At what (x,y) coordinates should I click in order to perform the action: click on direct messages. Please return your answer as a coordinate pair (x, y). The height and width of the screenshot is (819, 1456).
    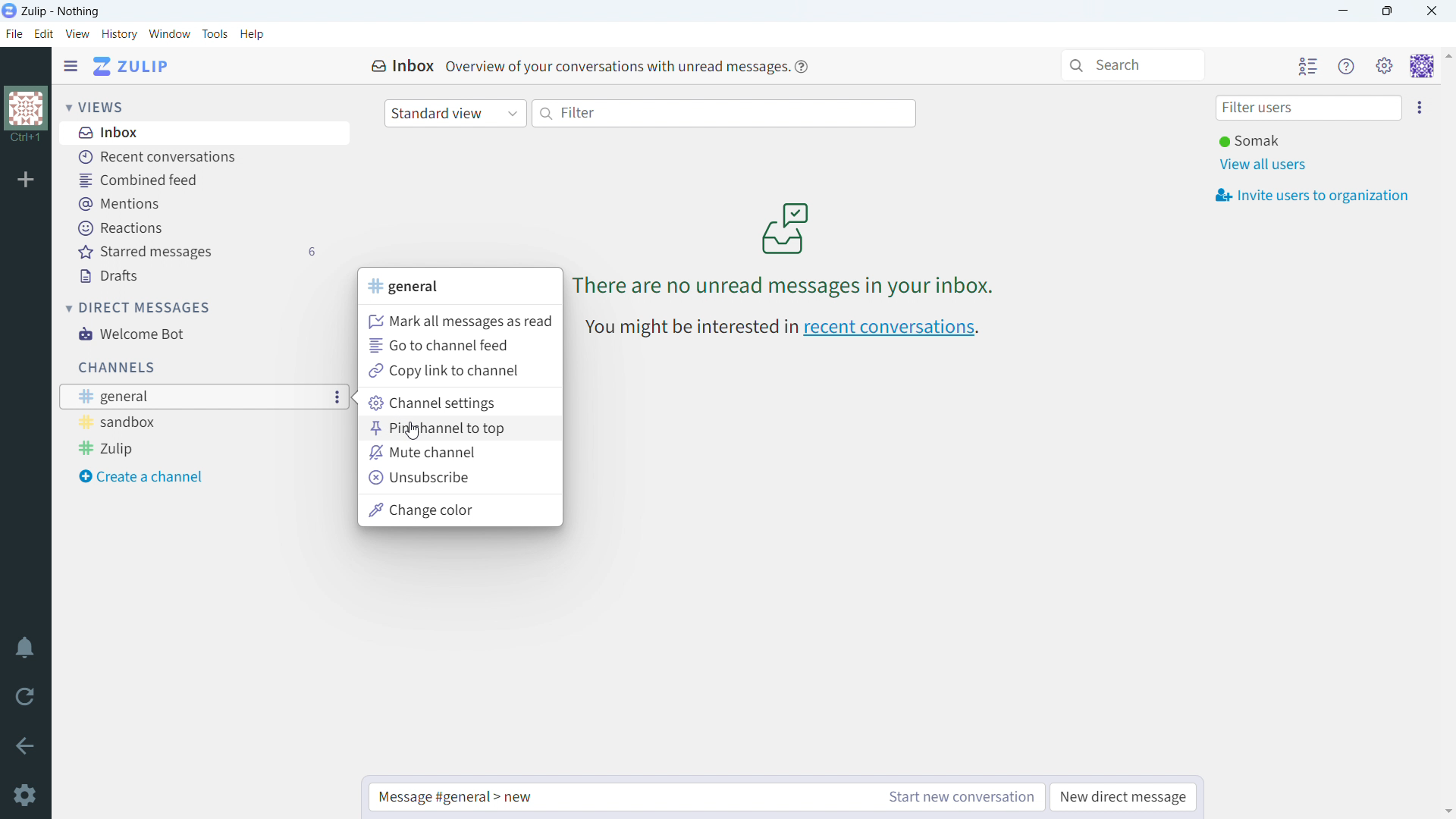
    Looking at the image, I should click on (140, 307).